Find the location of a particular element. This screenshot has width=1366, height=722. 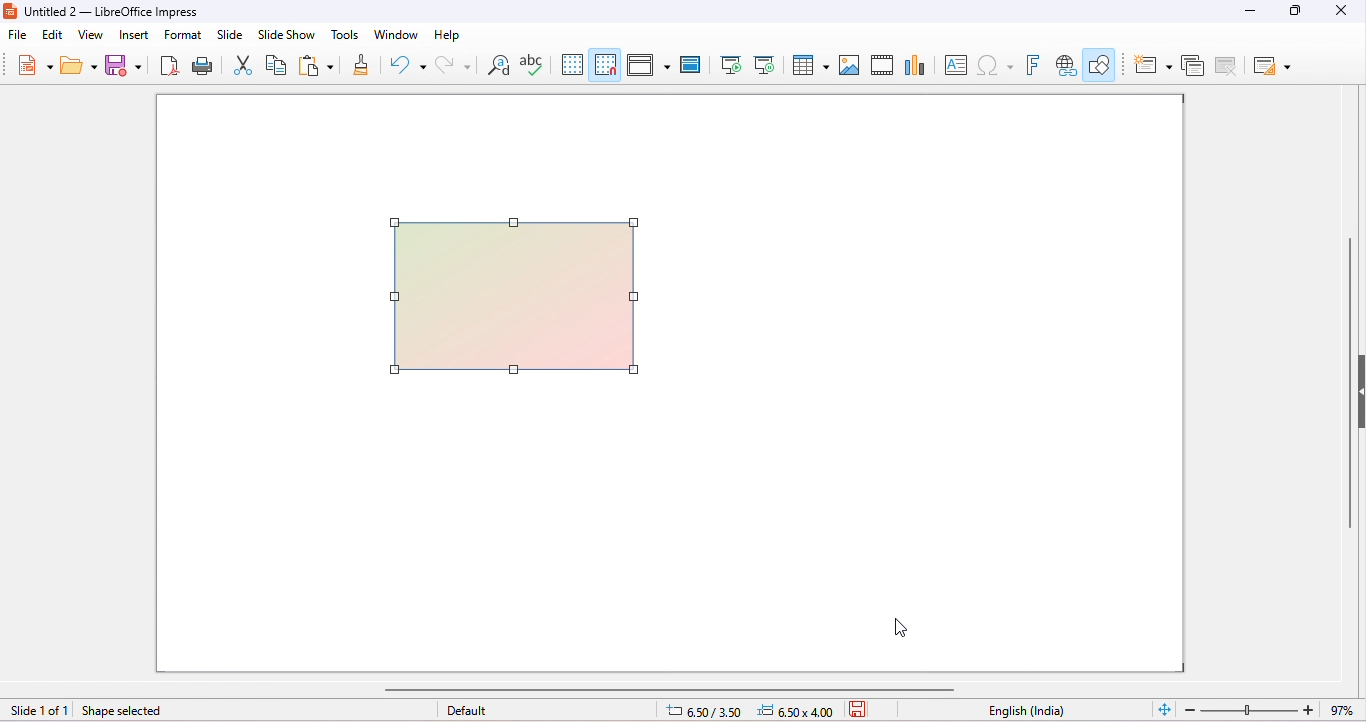

master slide is located at coordinates (690, 64).